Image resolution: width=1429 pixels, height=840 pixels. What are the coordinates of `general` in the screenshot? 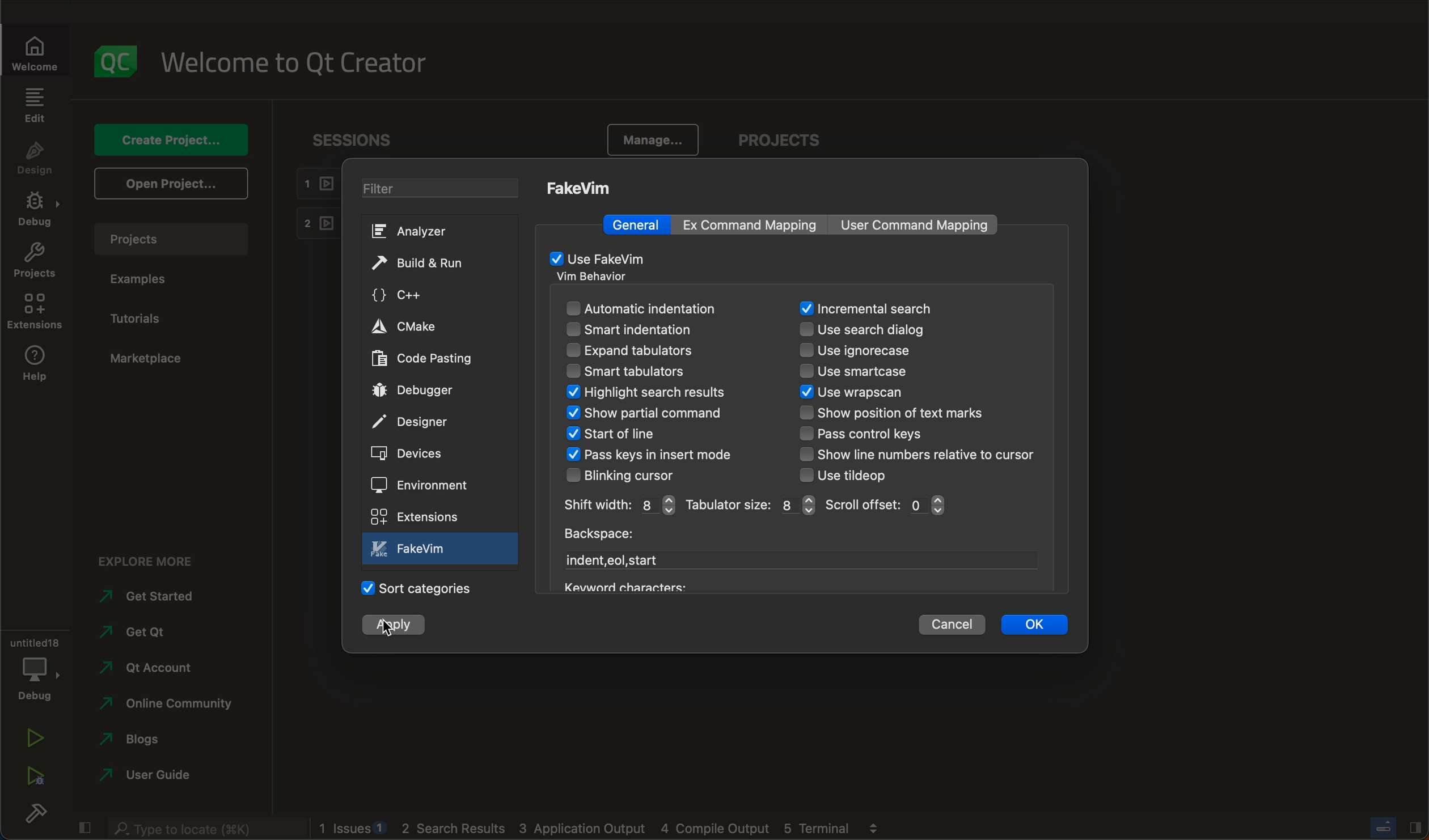 It's located at (640, 224).